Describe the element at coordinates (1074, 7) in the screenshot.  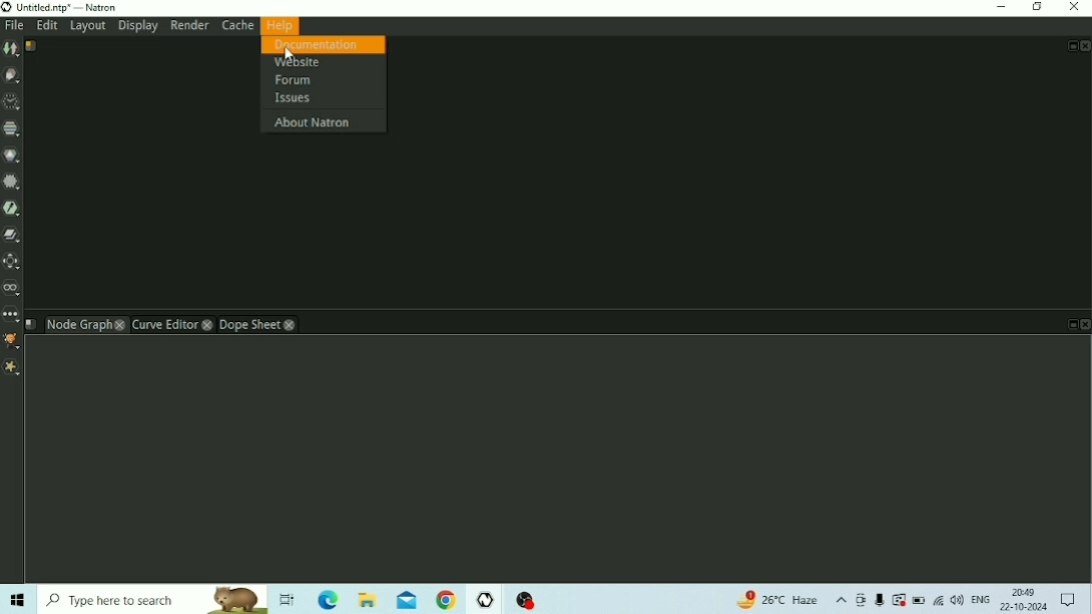
I see `Close` at that location.